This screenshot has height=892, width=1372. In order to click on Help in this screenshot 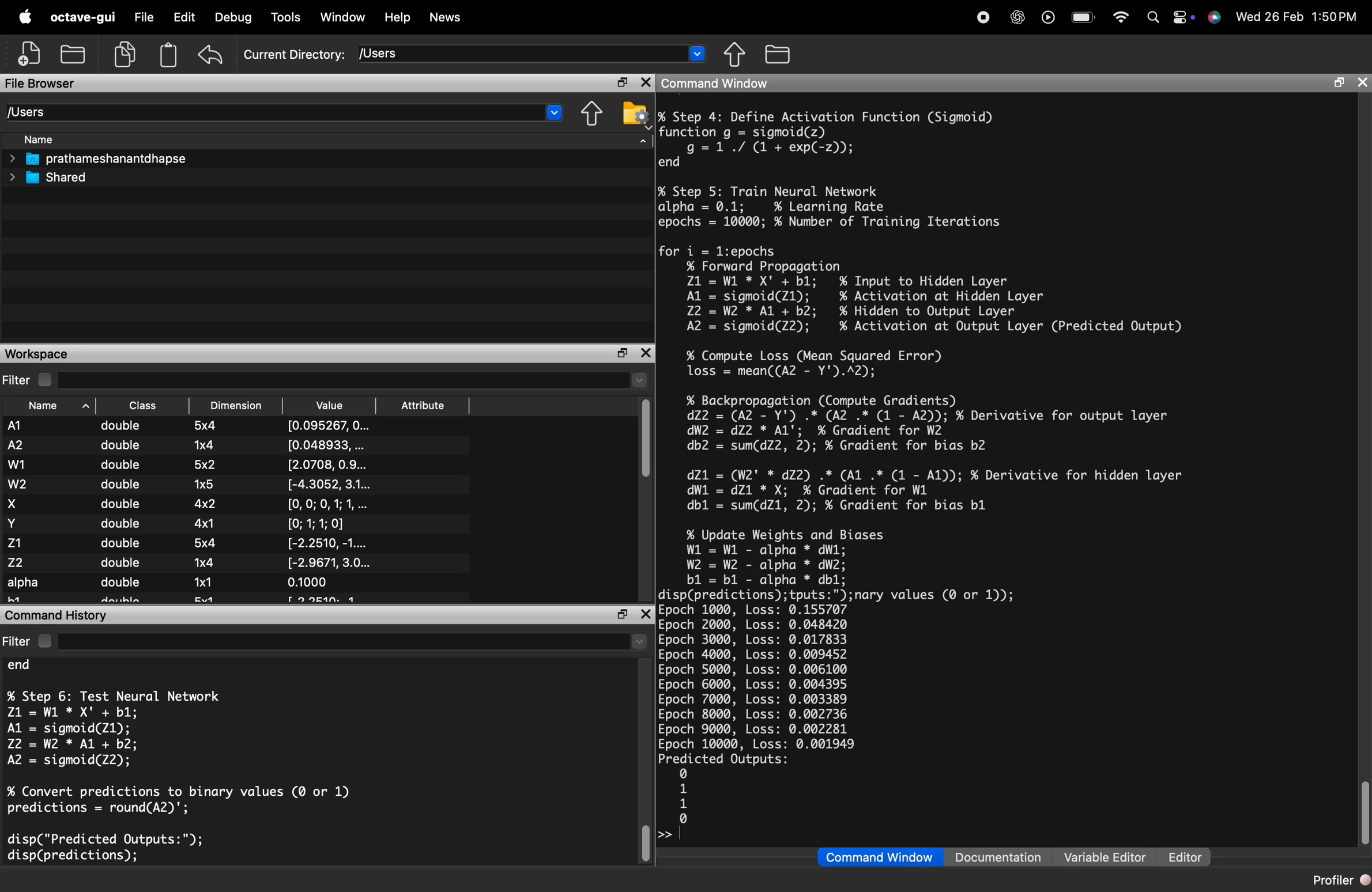, I will do `click(397, 17)`.